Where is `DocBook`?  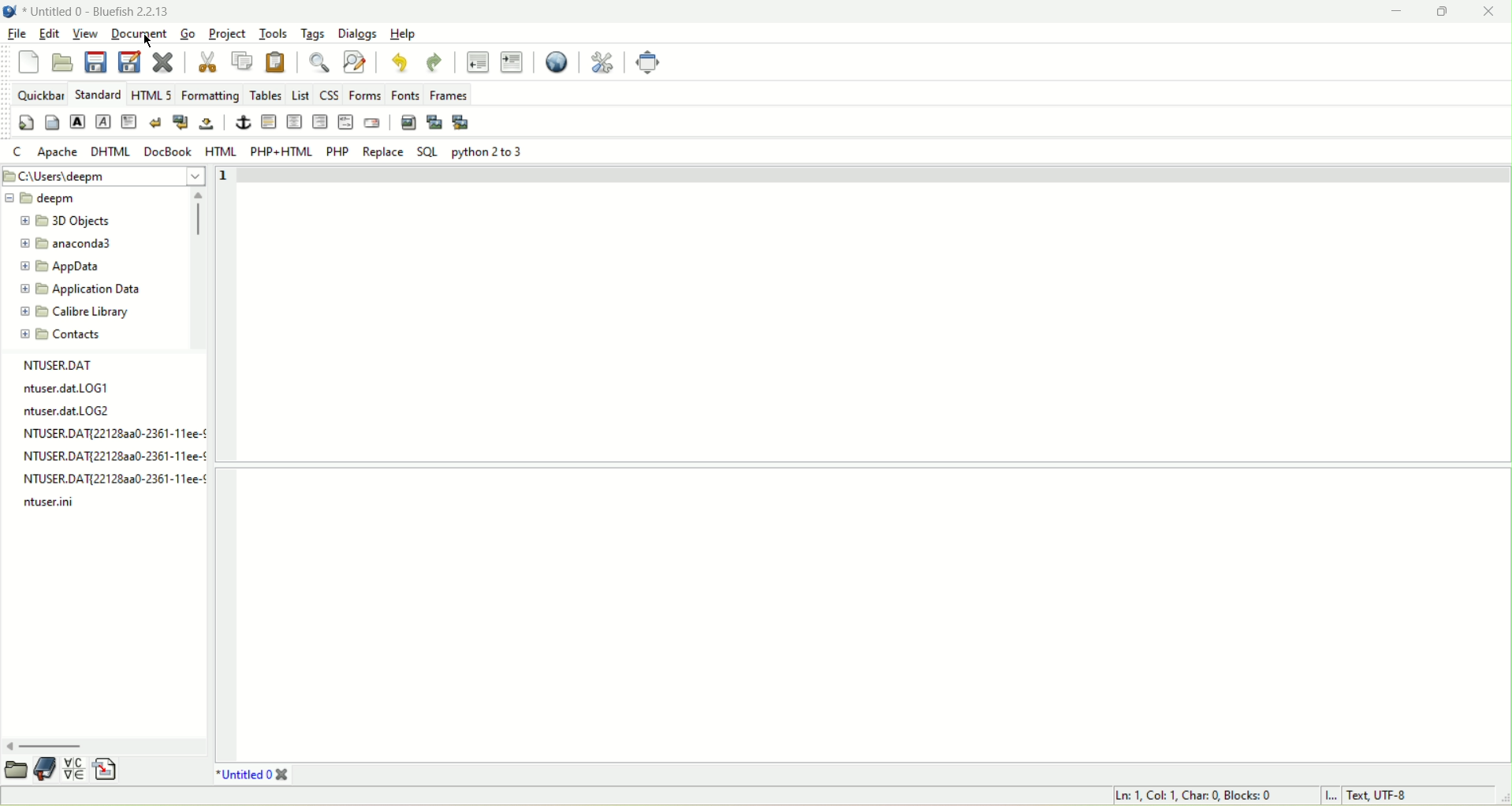 DocBook is located at coordinates (166, 151).